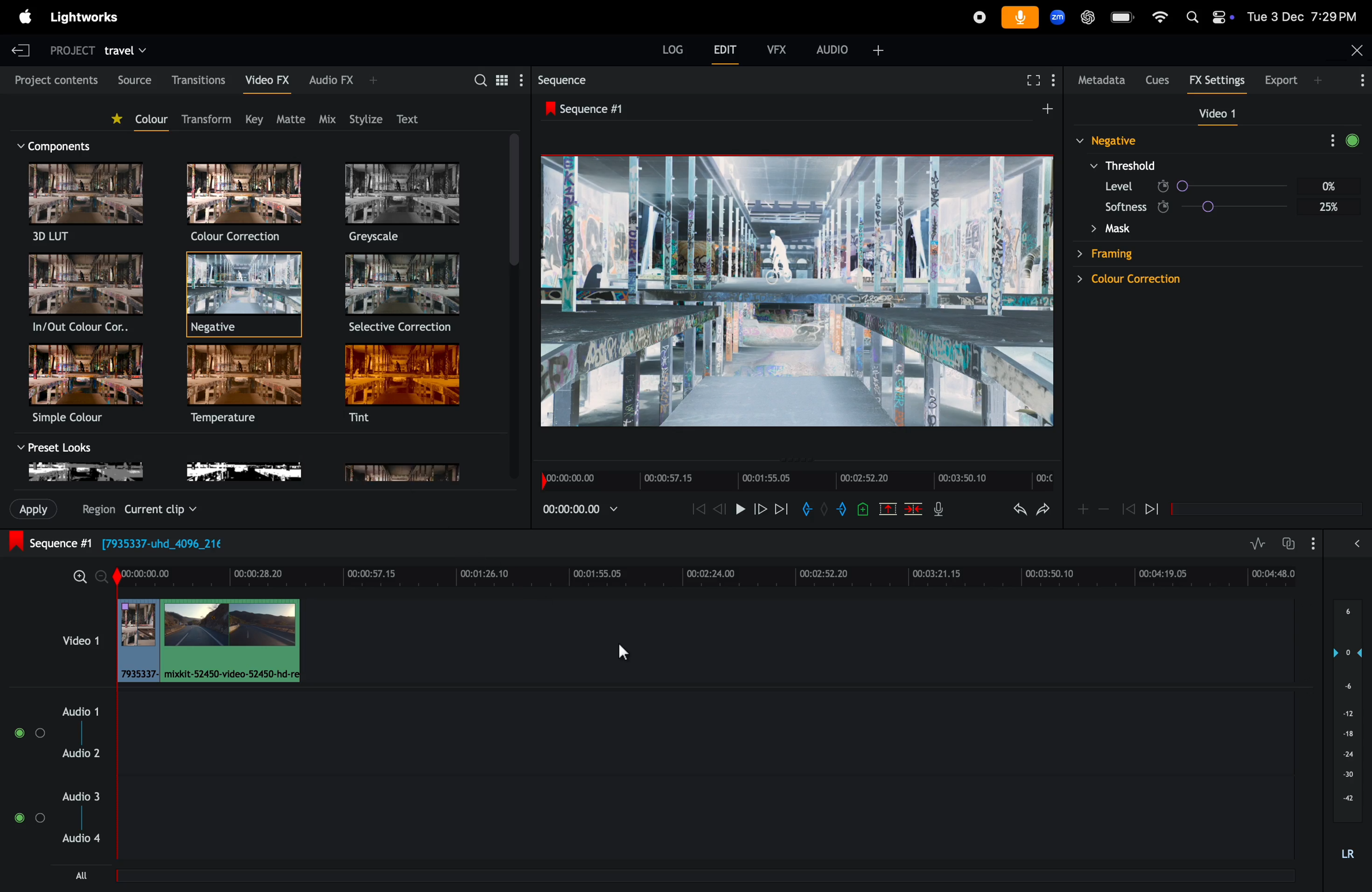  Describe the element at coordinates (1226, 186) in the screenshot. I see `` at that location.